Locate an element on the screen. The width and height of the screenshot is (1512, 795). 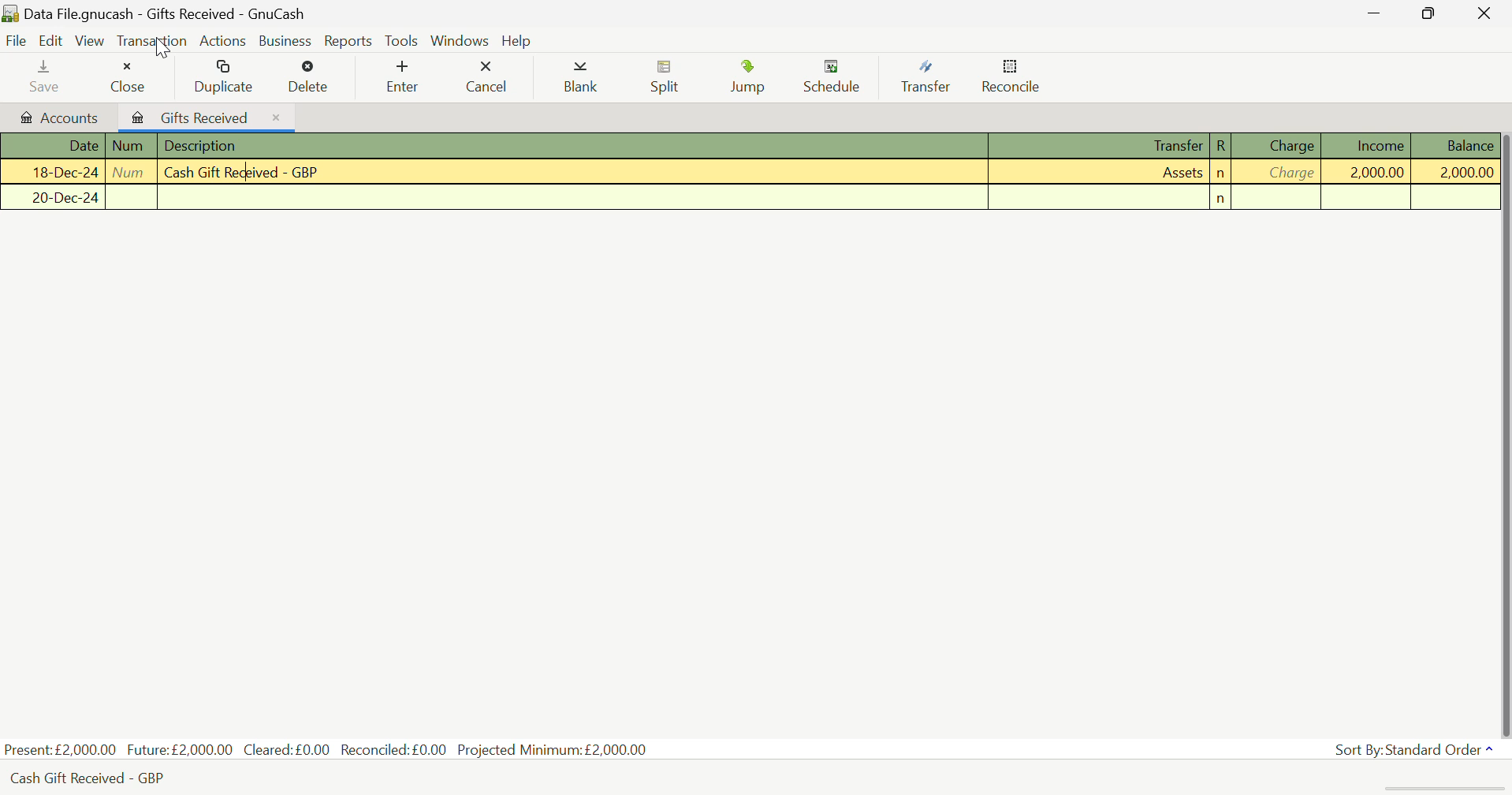
Projected Minimum is located at coordinates (556, 748).